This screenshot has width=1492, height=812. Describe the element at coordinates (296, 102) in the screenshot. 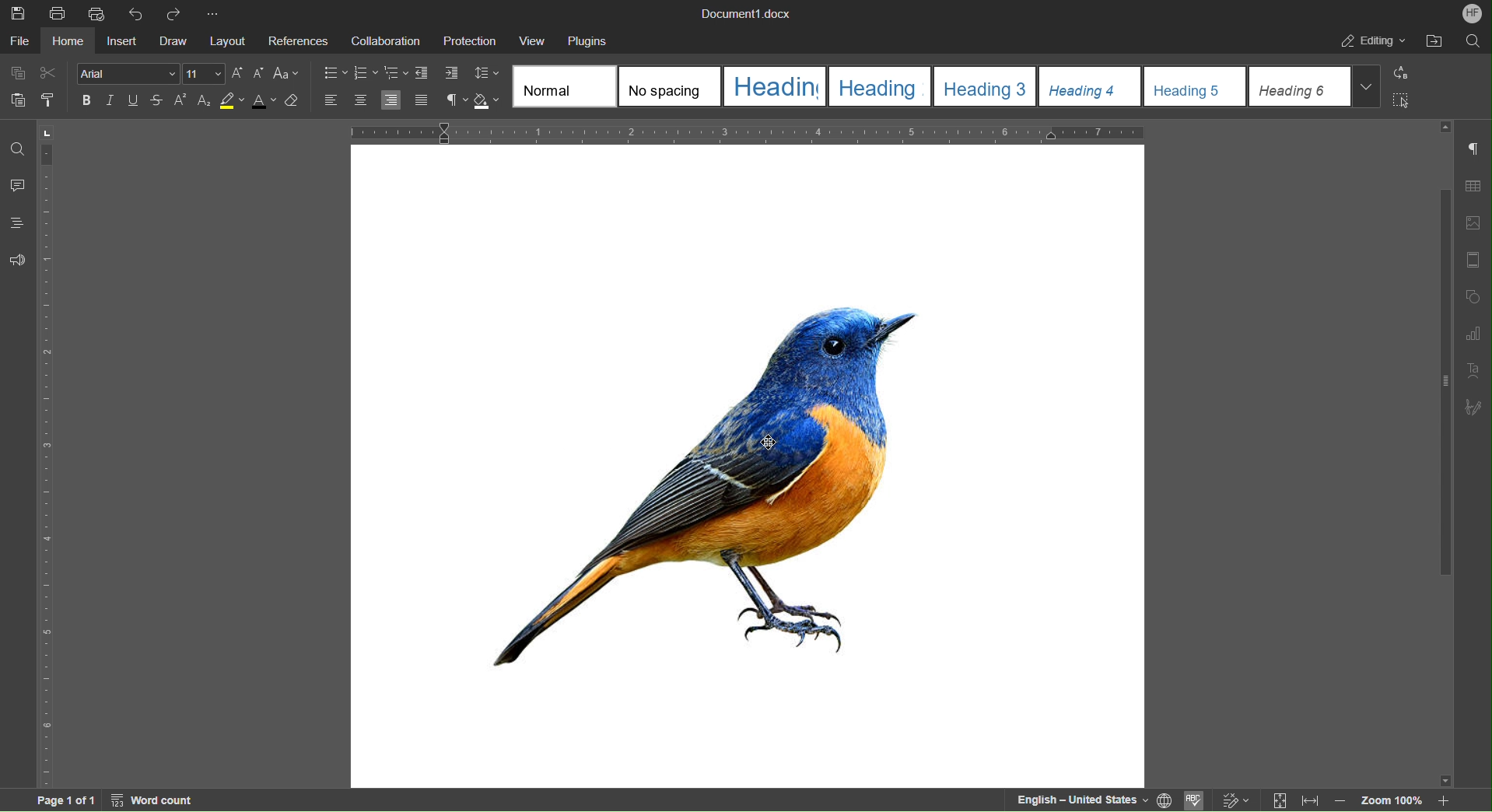

I see `Erase Style` at that location.